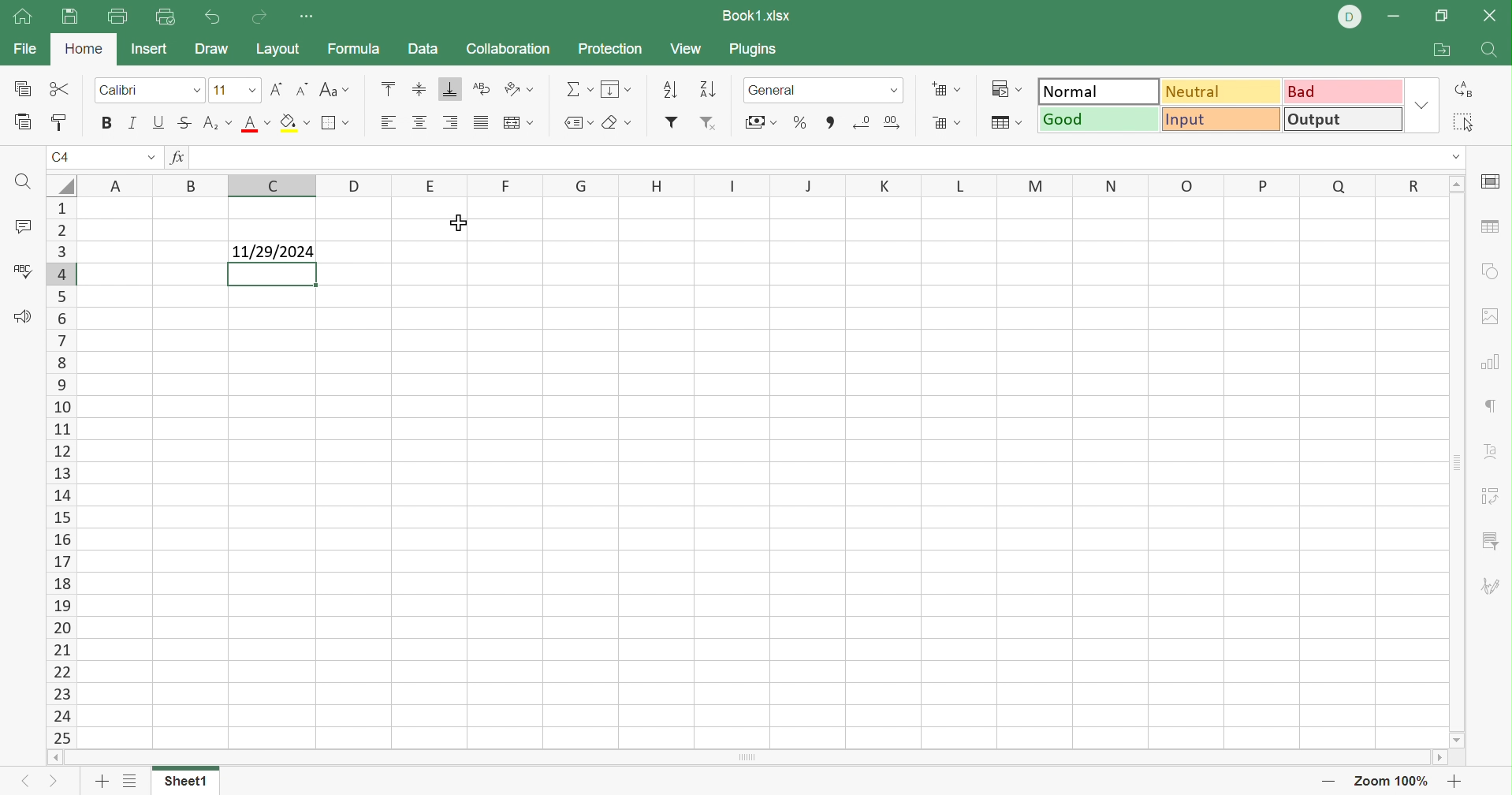  I want to click on Justified, so click(479, 122).